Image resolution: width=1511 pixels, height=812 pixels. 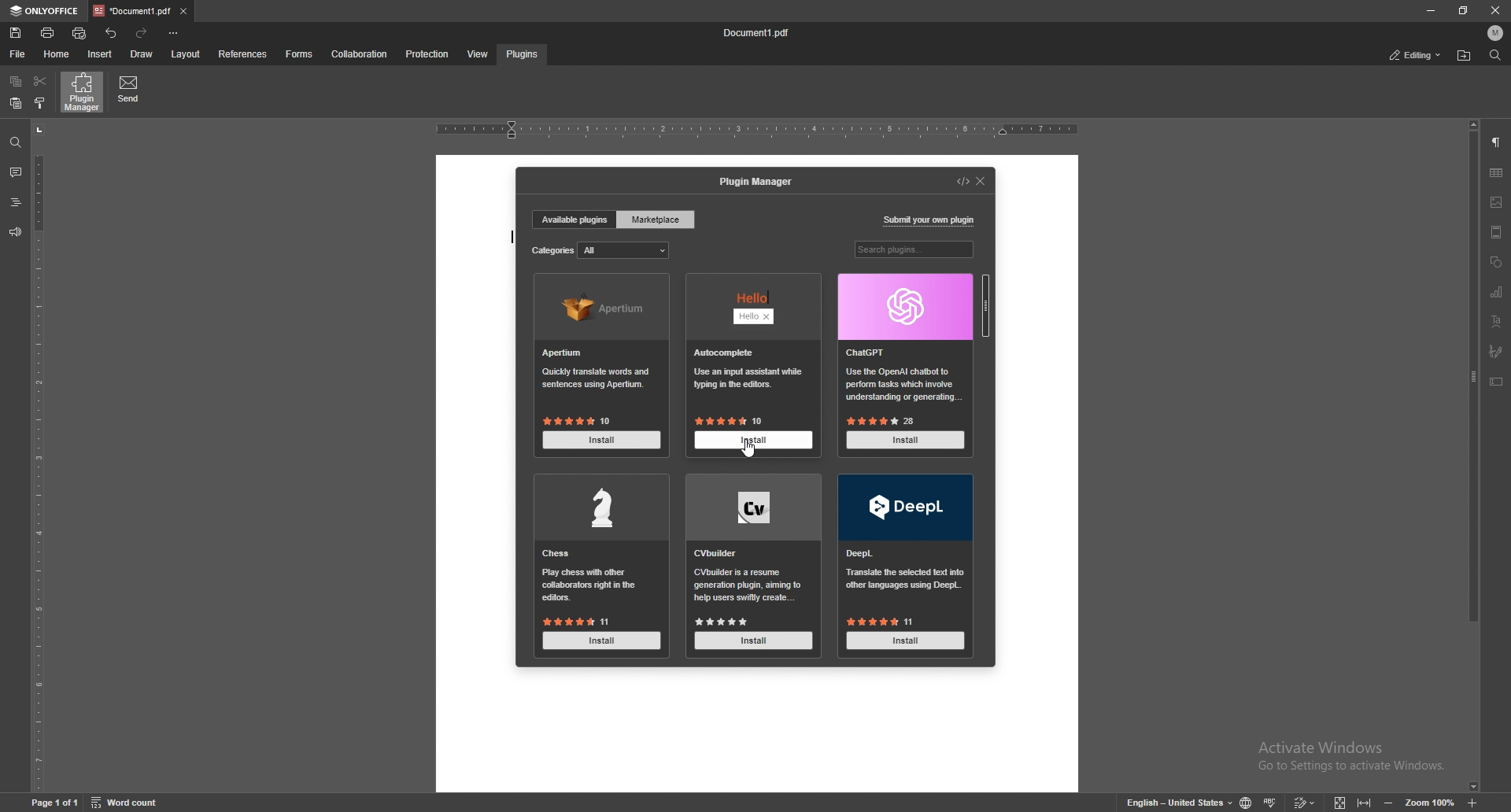 I want to click on install, so click(x=907, y=641).